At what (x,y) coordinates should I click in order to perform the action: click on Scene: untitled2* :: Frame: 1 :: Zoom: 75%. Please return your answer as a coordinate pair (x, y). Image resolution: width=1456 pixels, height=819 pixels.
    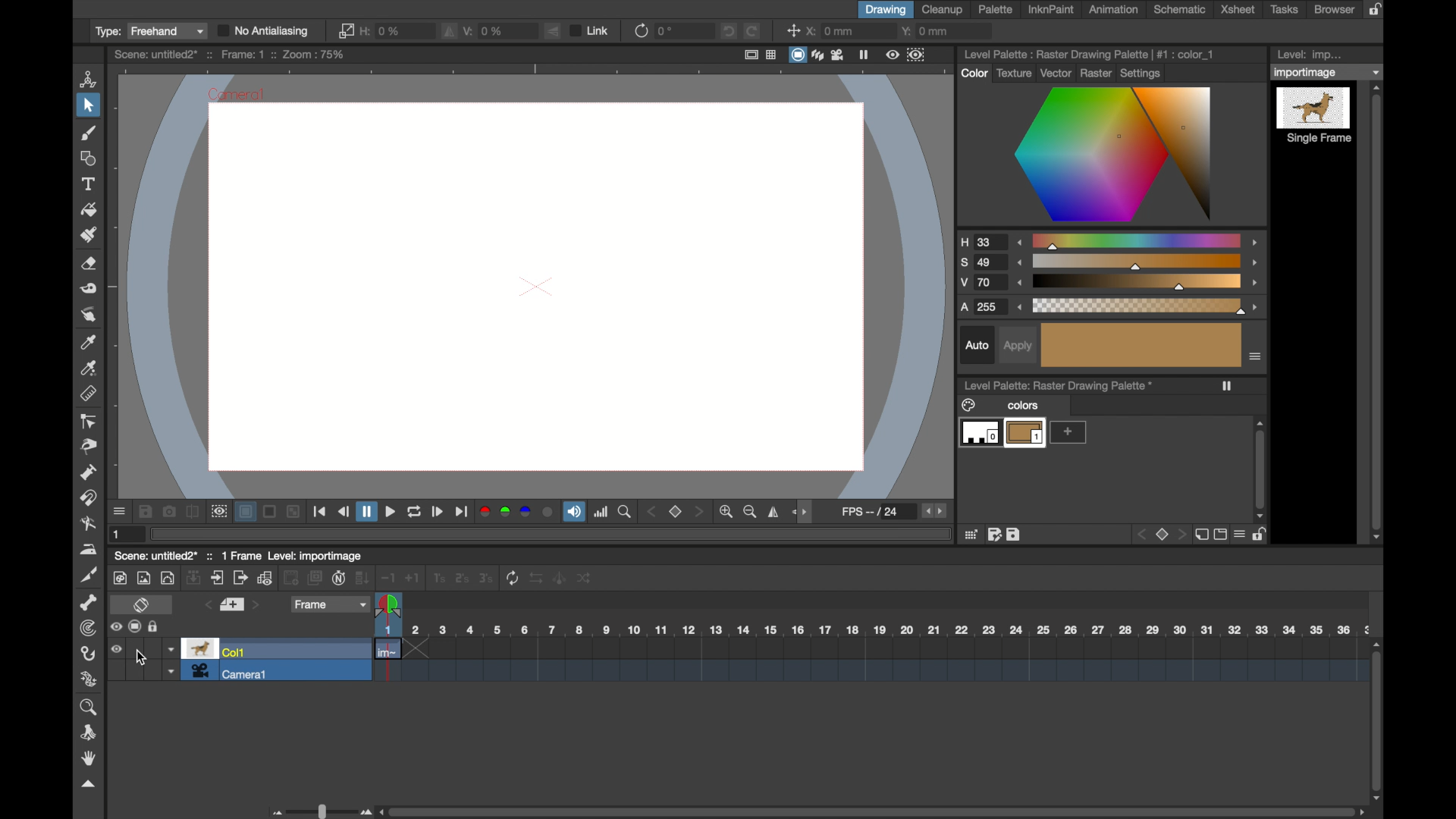
    Looking at the image, I should click on (229, 55).